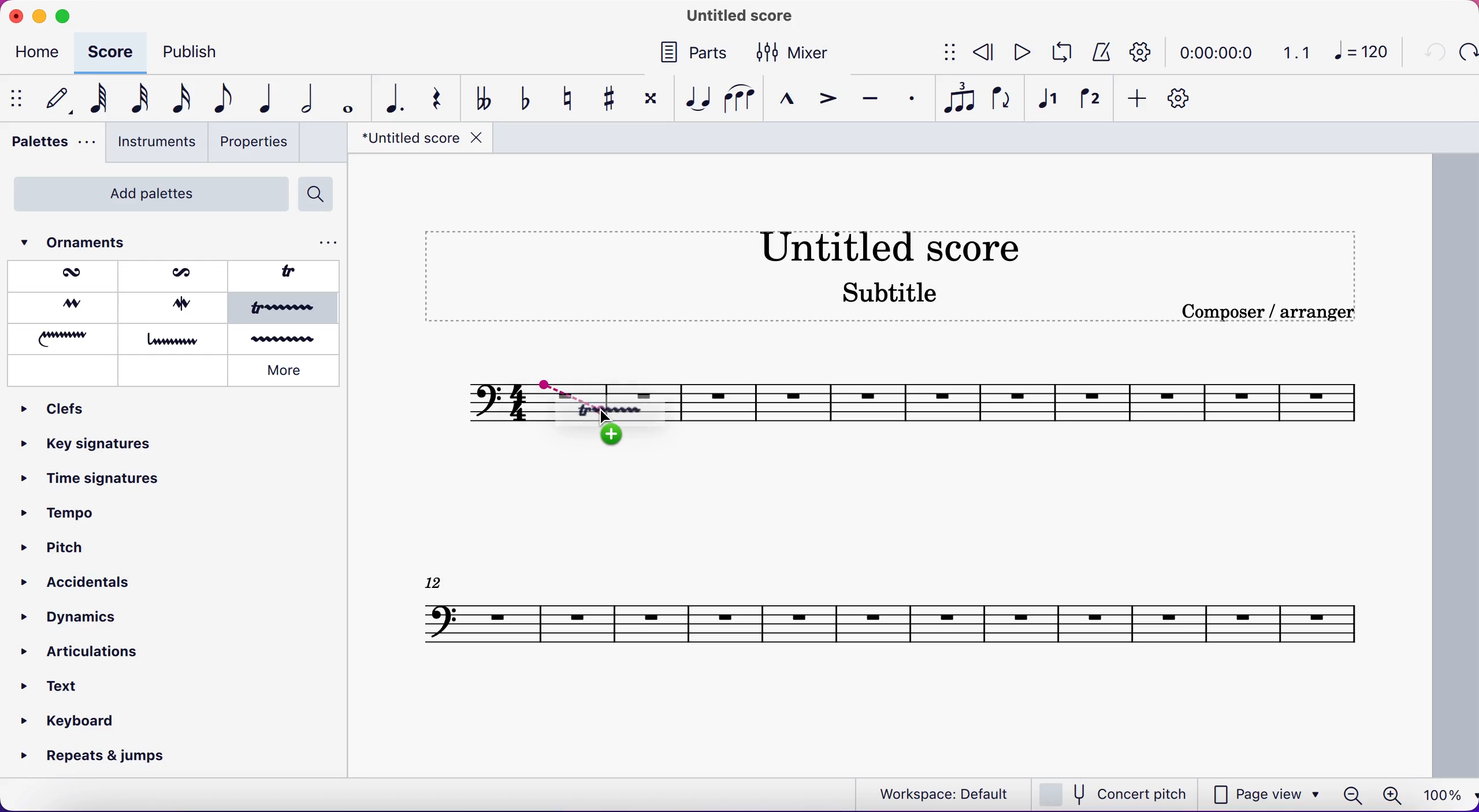 This screenshot has height=812, width=1479. What do you see at coordinates (1002, 100) in the screenshot?
I see `flip direction` at bounding box center [1002, 100].